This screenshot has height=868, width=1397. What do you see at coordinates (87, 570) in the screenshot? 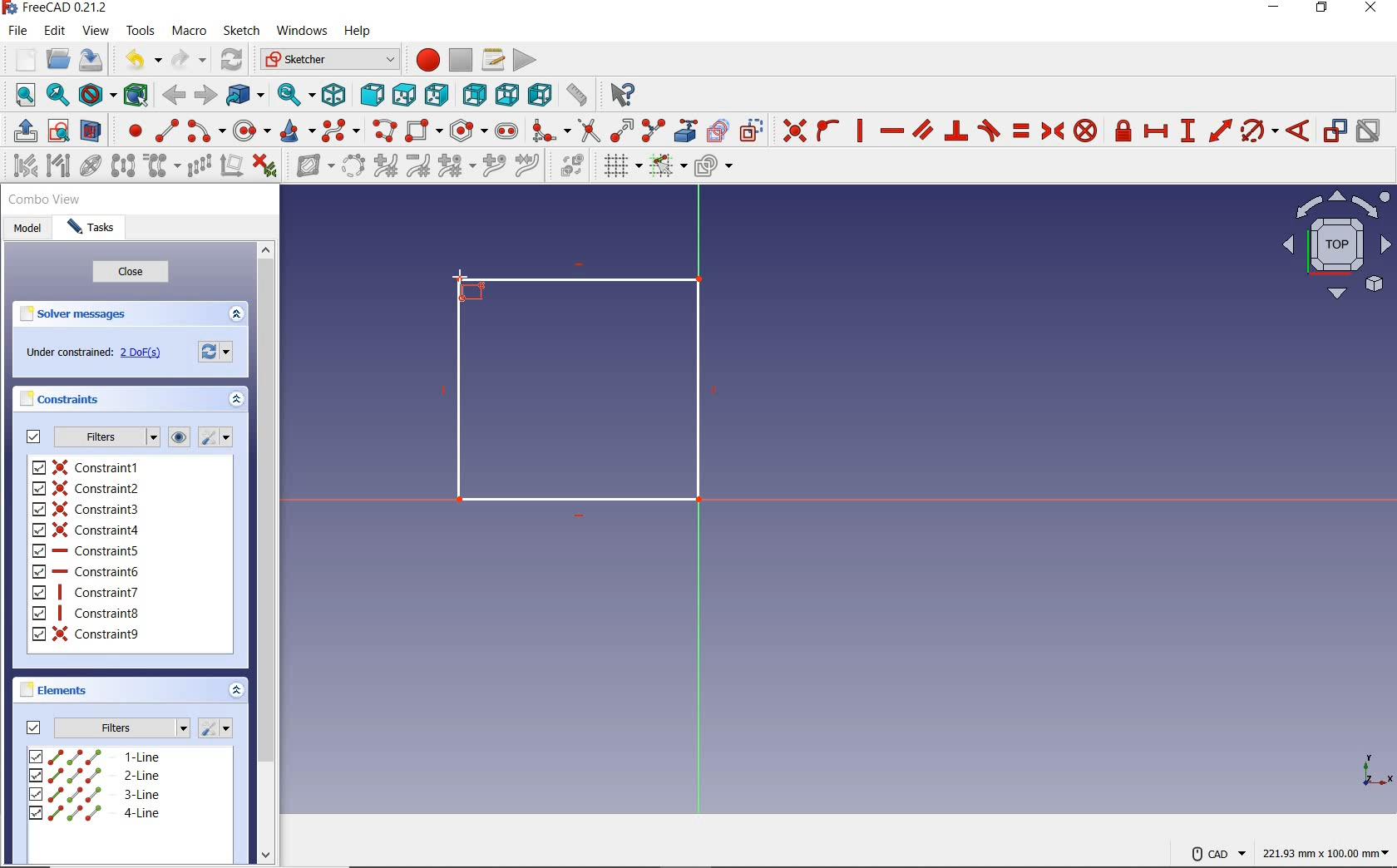
I see `constraint6` at bounding box center [87, 570].